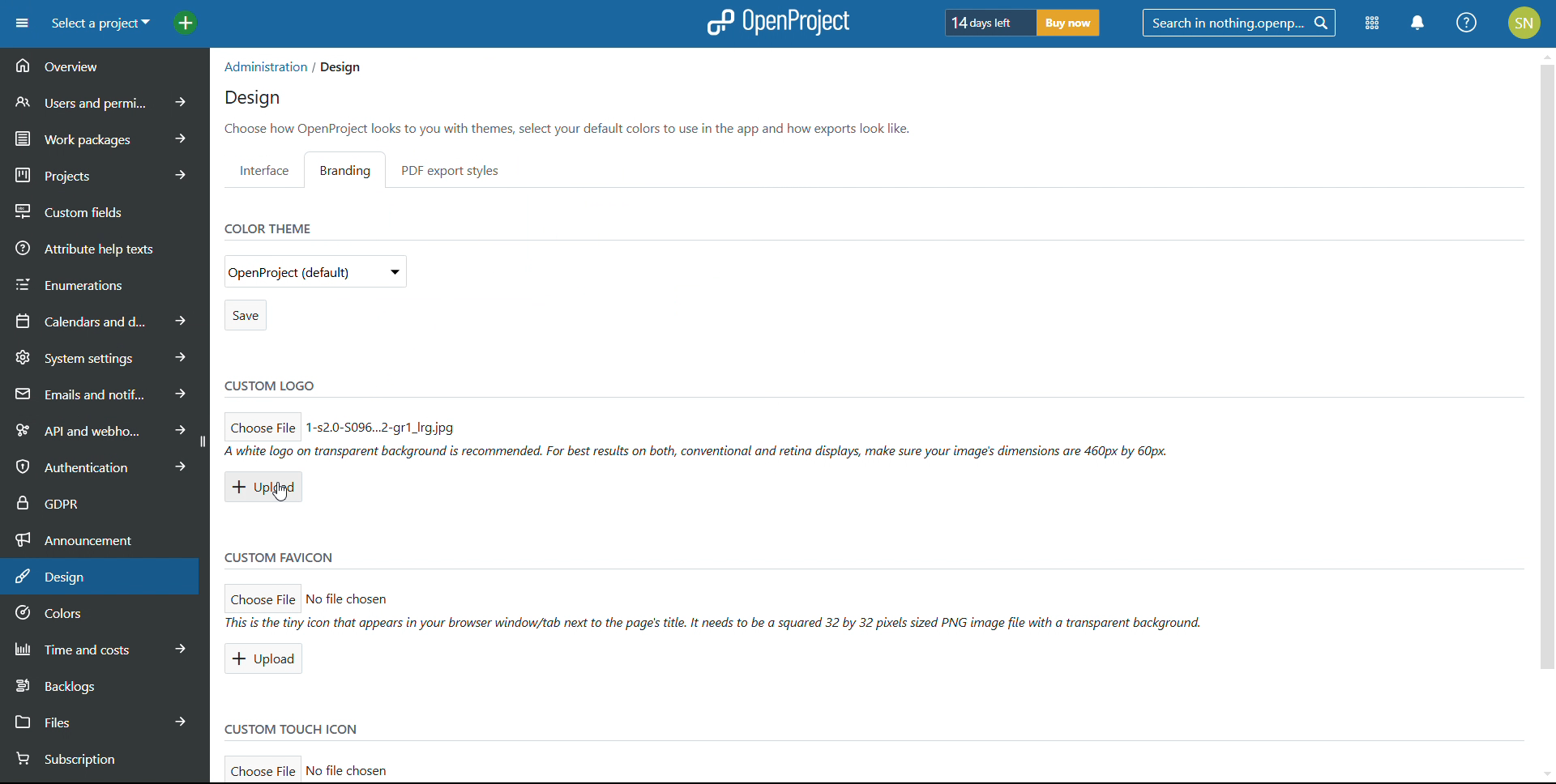 The width and height of the screenshot is (1556, 784). I want to click on No file chosen, so click(358, 768).